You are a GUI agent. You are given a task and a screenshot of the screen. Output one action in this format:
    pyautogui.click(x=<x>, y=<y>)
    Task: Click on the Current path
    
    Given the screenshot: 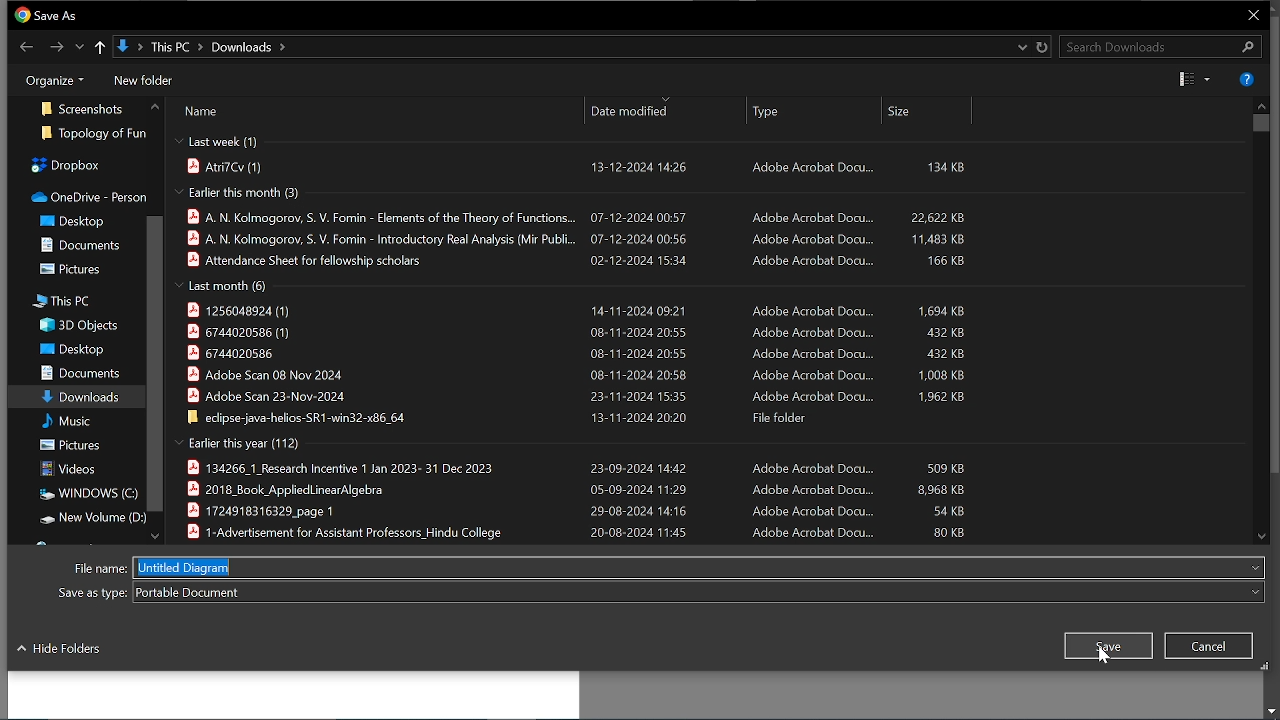 What is the action you would take?
    pyautogui.click(x=203, y=47)
    